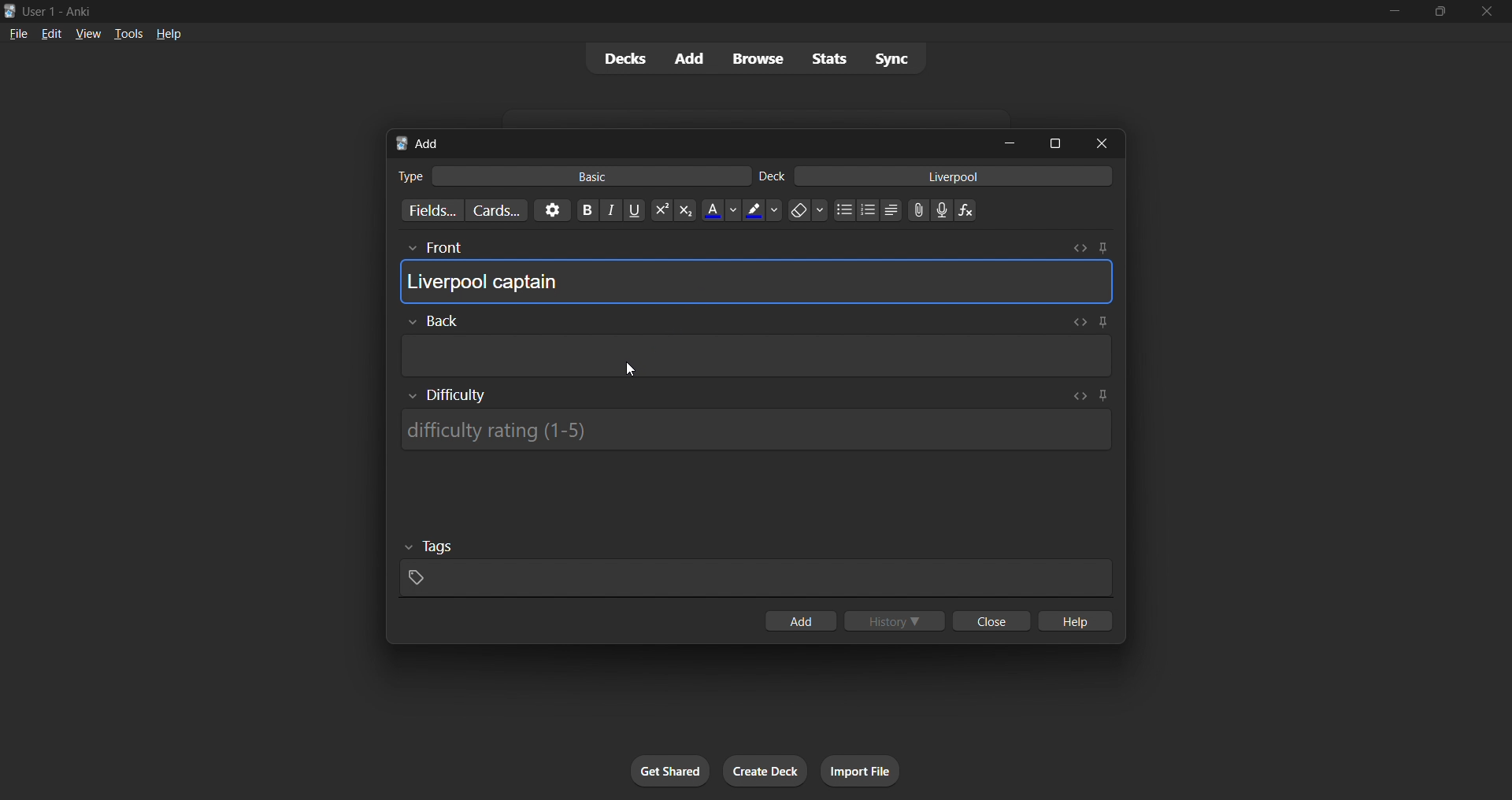 The height and width of the screenshot is (800, 1512). Describe the element at coordinates (670, 771) in the screenshot. I see `get shared` at that location.